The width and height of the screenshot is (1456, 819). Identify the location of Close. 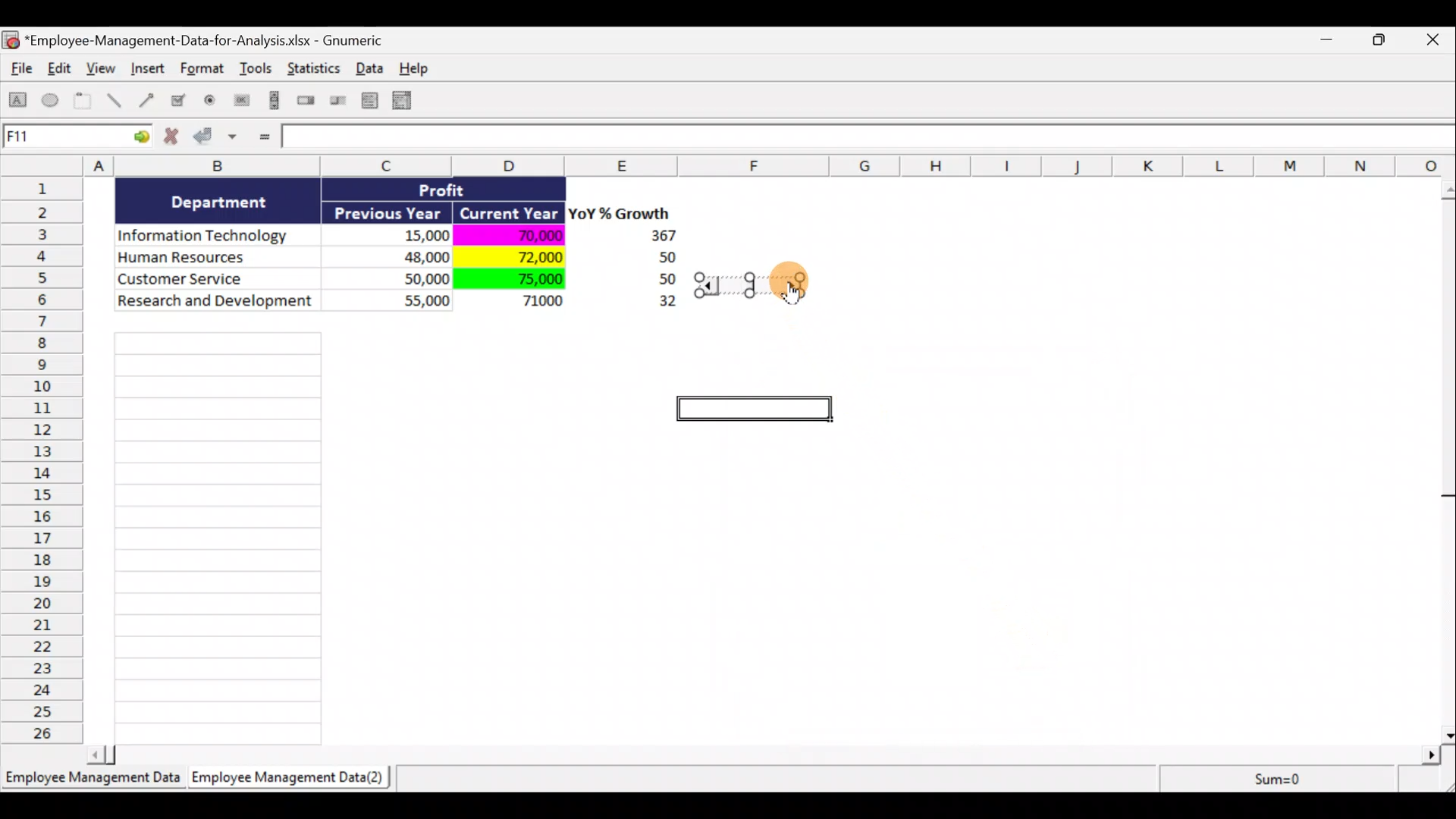
(1436, 41).